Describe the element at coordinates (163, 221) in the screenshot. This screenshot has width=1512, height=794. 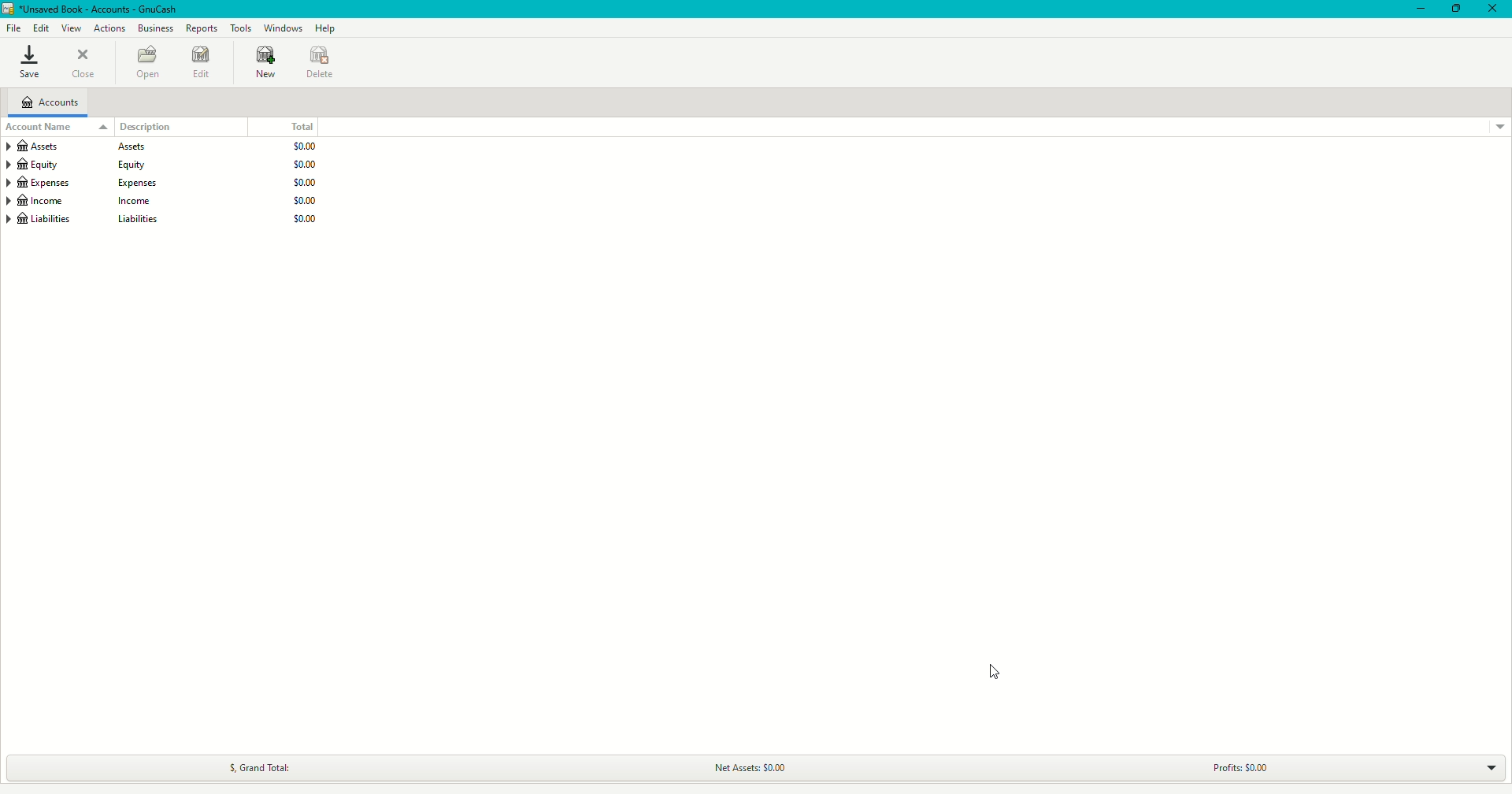
I see `Liabilities` at that location.